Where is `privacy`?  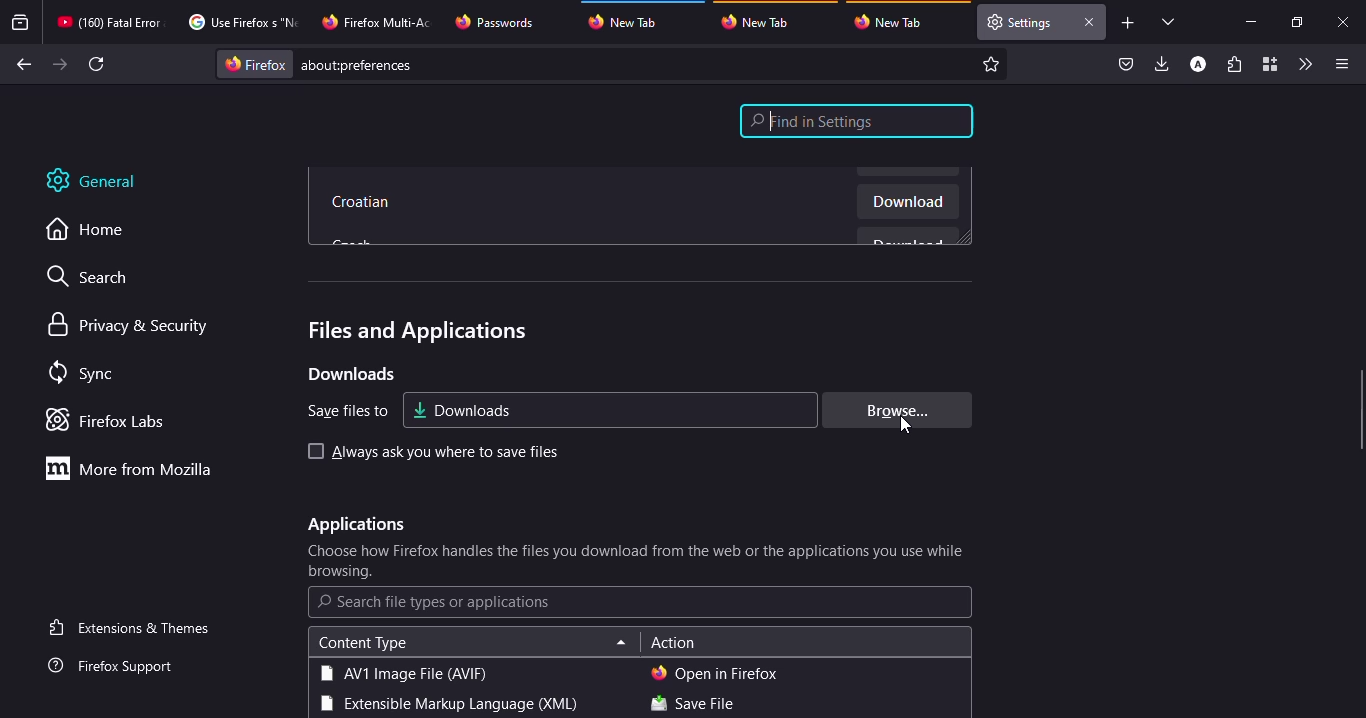
privacy is located at coordinates (131, 326).